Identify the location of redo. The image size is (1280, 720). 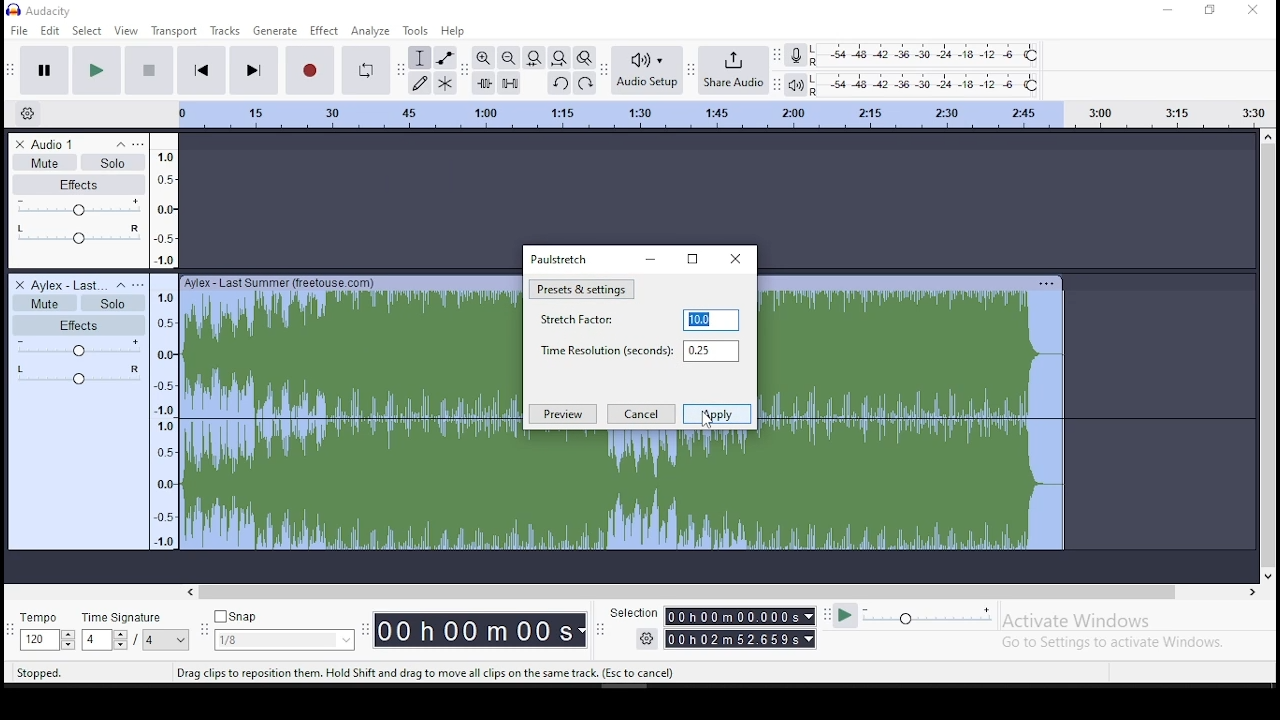
(588, 84).